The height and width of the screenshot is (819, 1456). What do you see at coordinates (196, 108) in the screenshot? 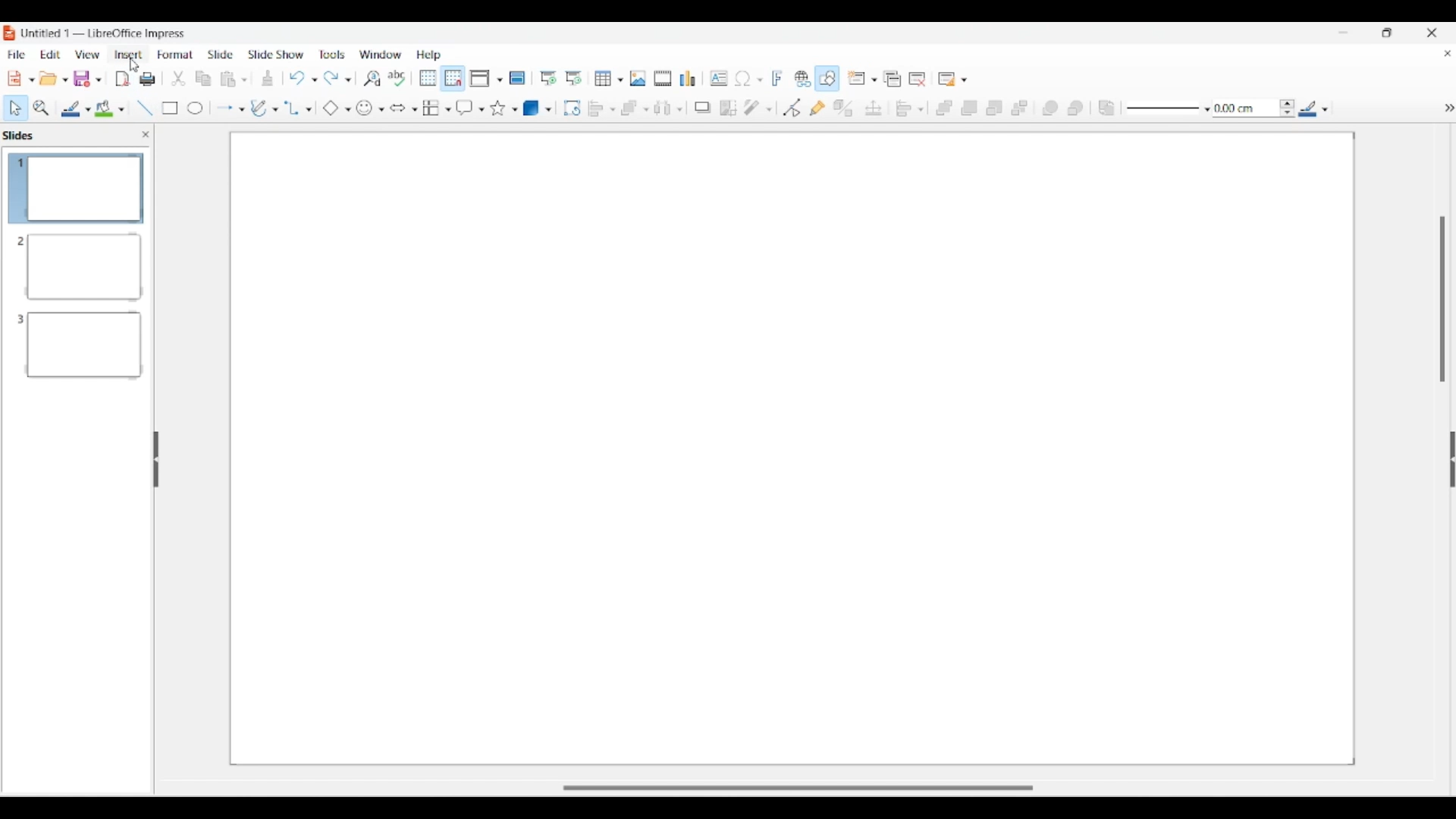
I see `Insert ellipse` at bounding box center [196, 108].